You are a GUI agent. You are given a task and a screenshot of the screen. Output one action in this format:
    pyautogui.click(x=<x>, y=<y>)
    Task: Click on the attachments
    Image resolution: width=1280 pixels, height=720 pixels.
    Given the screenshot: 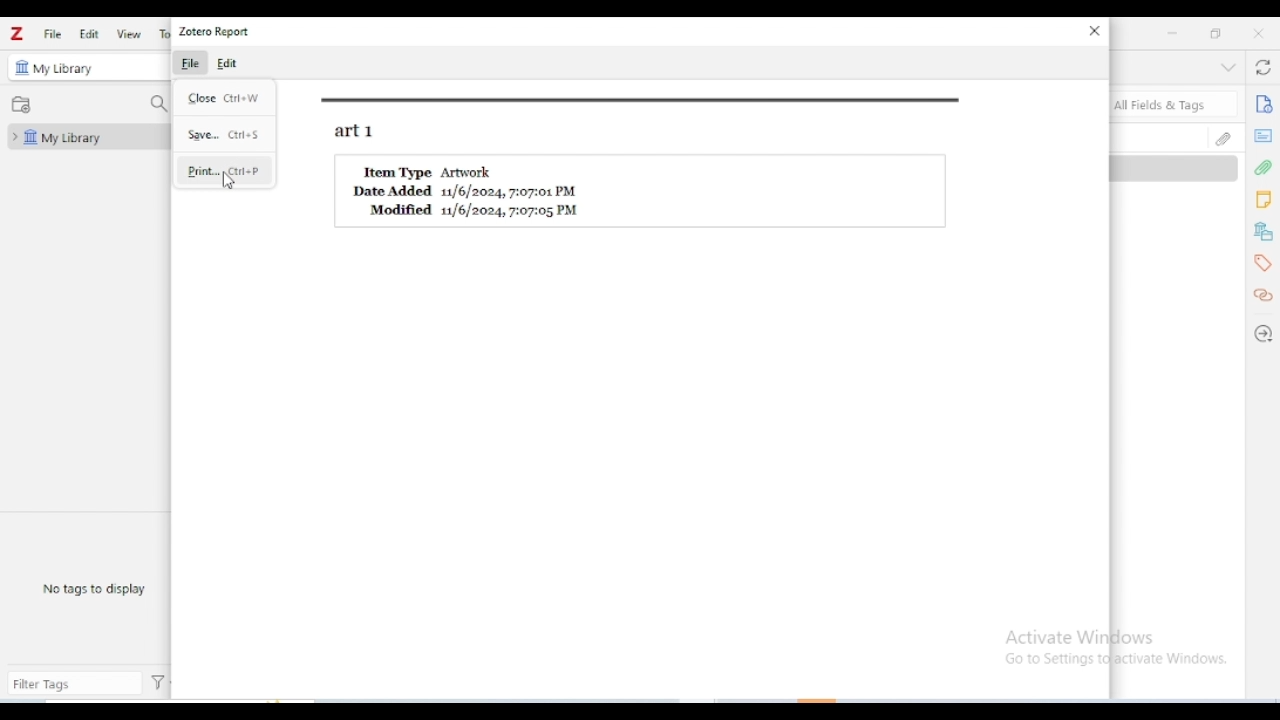 What is the action you would take?
    pyautogui.click(x=1264, y=169)
    